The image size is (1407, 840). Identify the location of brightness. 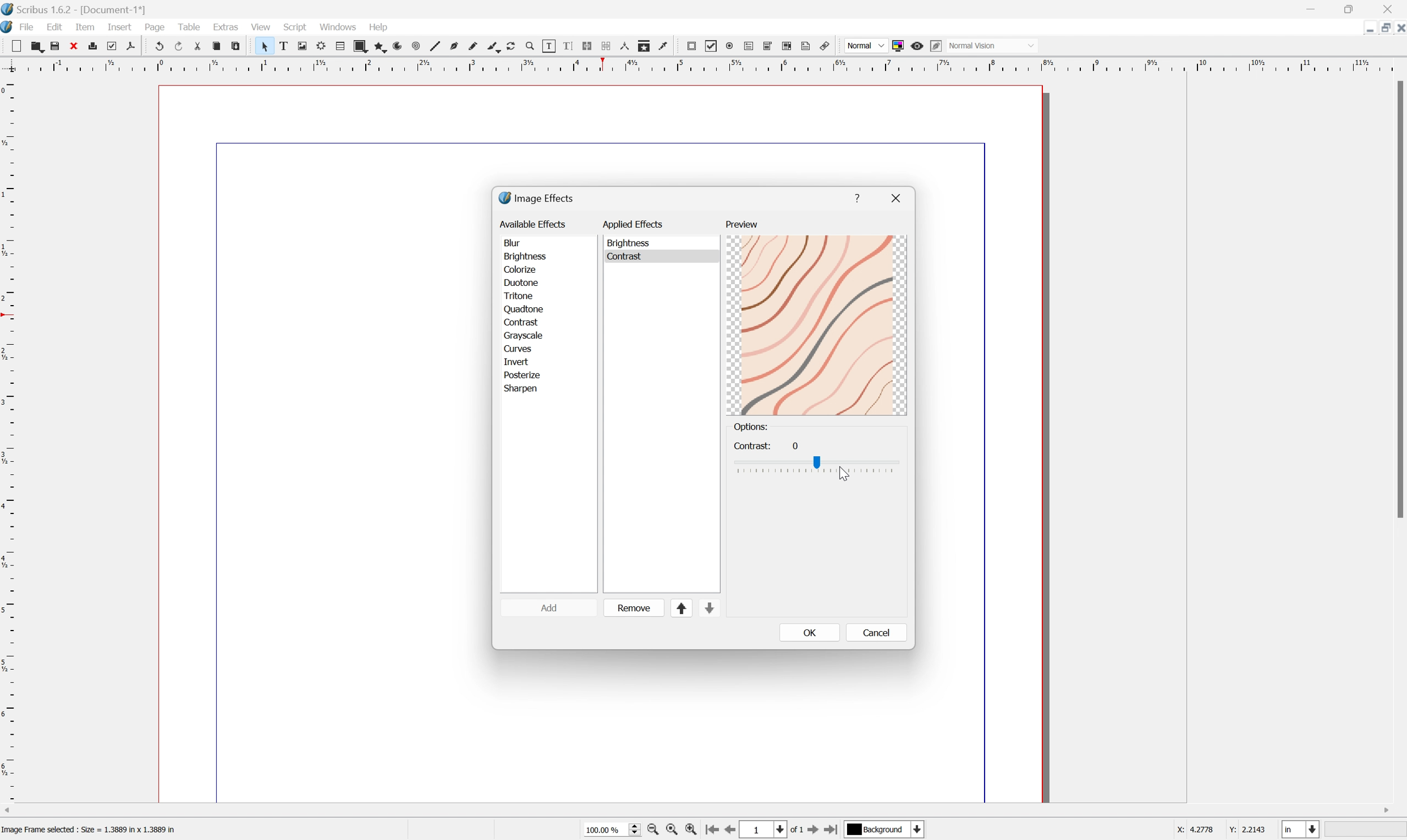
(631, 243).